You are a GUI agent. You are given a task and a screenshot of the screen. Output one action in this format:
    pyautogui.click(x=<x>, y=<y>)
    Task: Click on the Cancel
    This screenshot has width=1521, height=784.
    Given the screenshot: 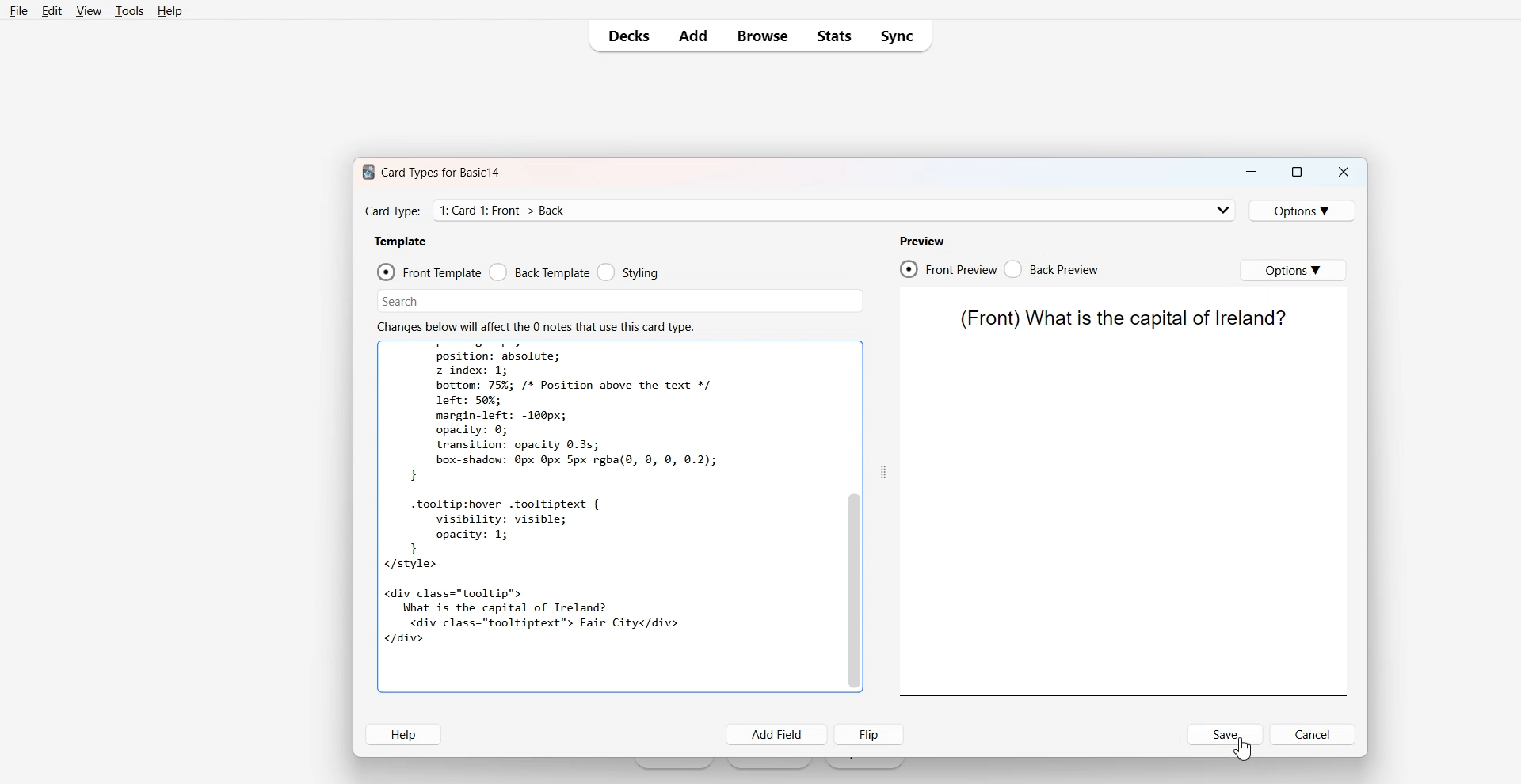 What is the action you would take?
    pyautogui.click(x=1313, y=734)
    